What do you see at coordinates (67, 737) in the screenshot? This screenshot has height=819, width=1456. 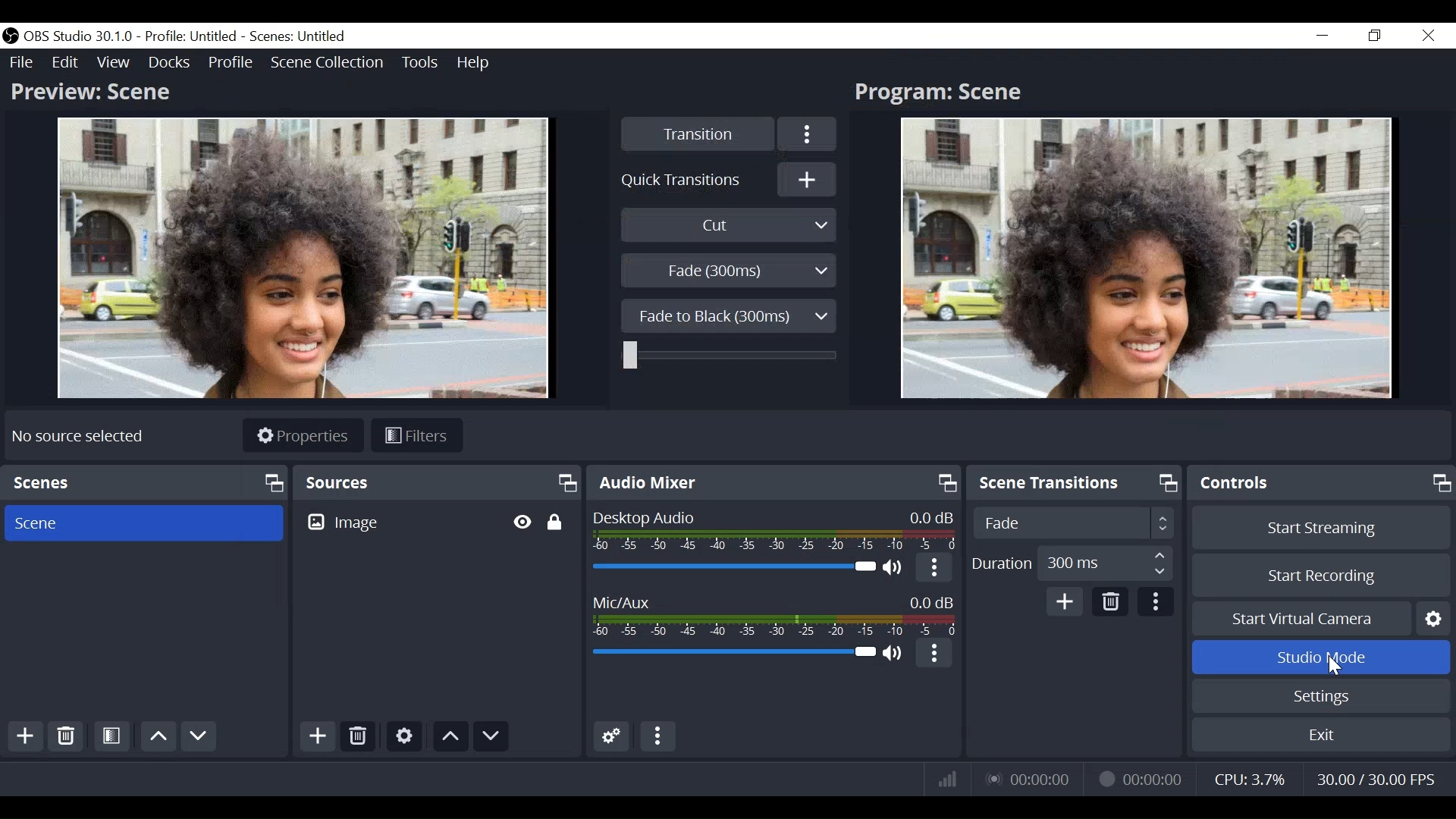 I see `Delete` at bounding box center [67, 737].